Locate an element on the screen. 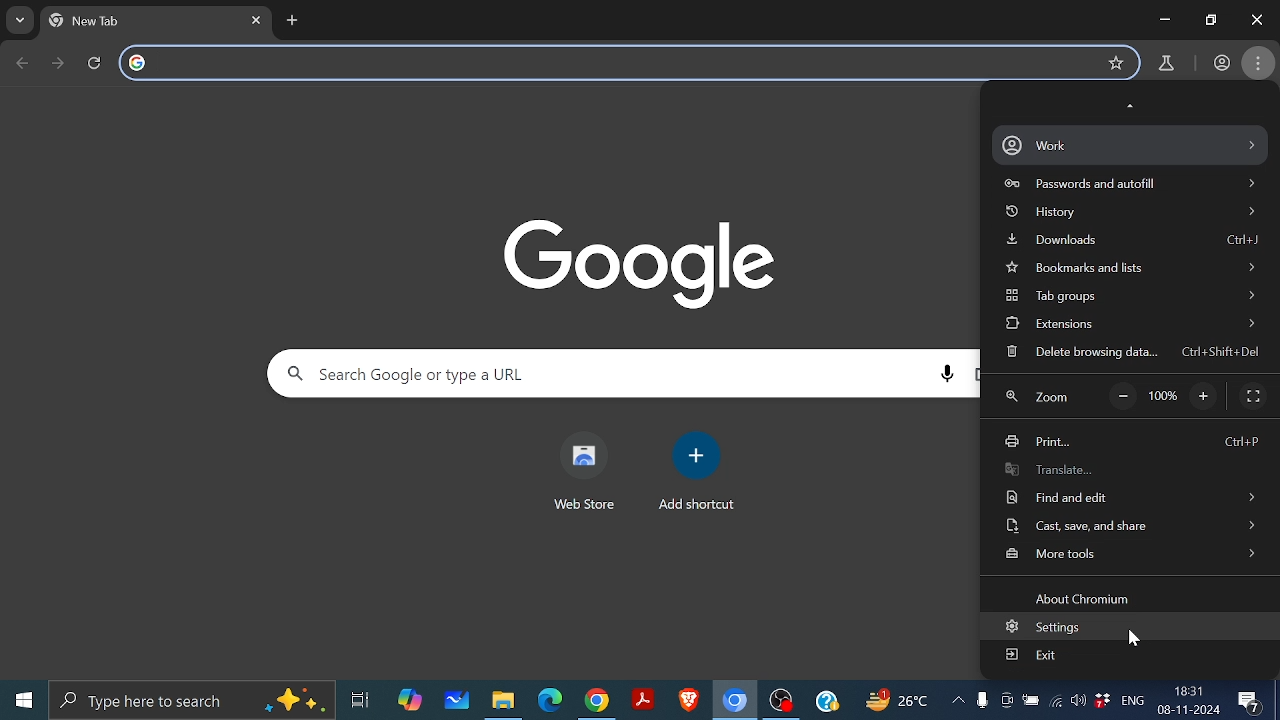 This screenshot has height=720, width=1280. windows menu is located at coordinates (22, 700).